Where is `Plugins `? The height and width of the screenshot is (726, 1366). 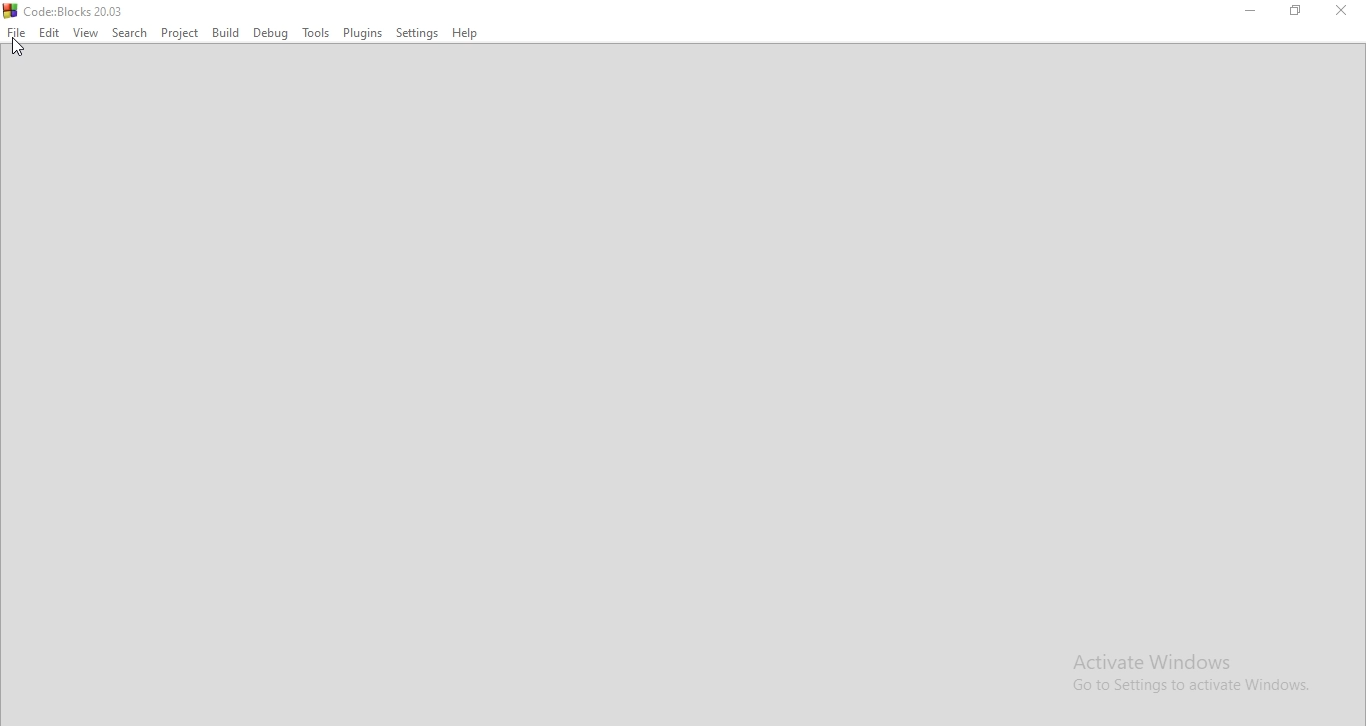 Plugins  is located at coordinates (363, 34).